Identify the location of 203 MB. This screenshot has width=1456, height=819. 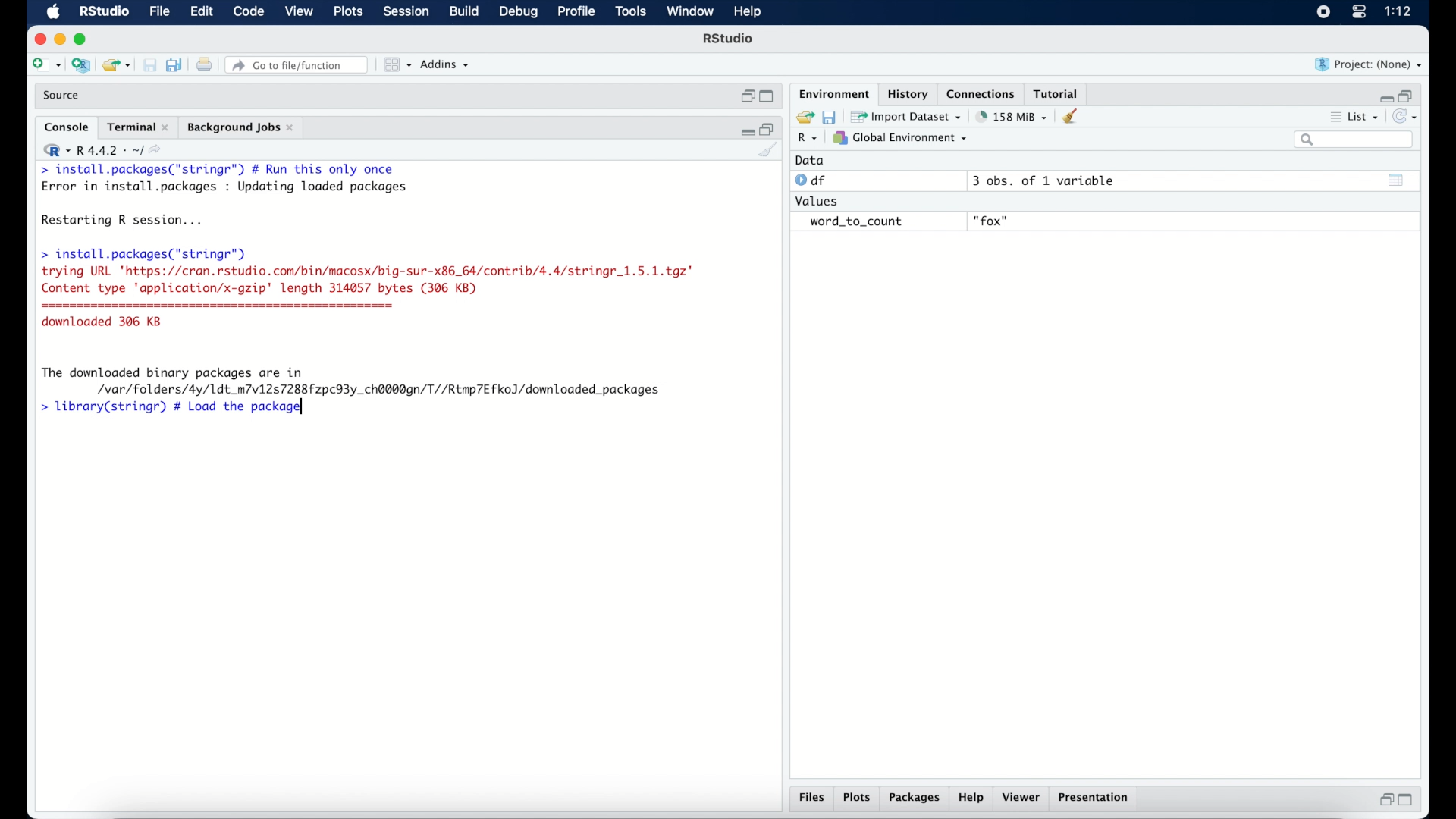
(1013, 117).